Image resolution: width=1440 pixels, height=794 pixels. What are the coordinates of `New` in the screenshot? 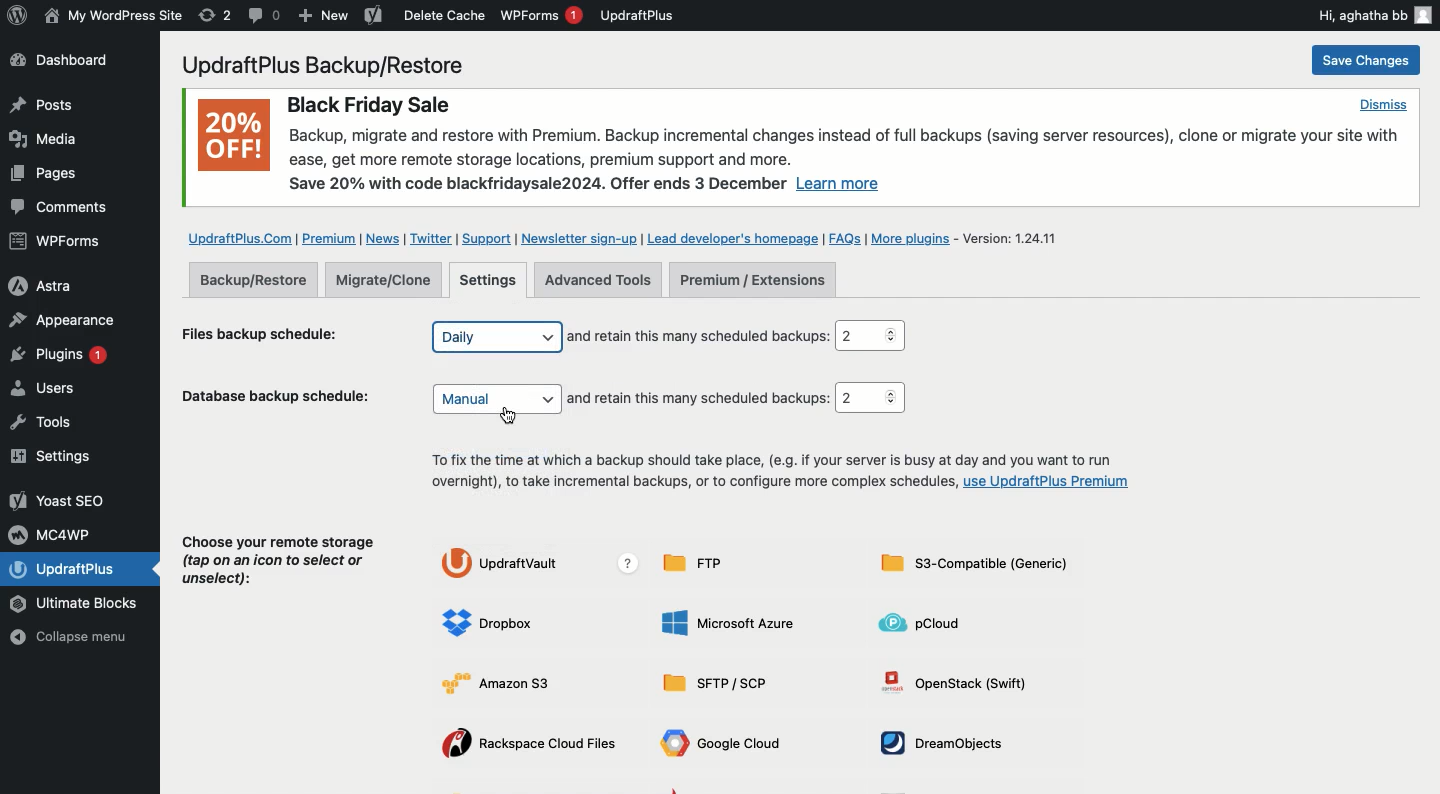 It's located at (324, 17).